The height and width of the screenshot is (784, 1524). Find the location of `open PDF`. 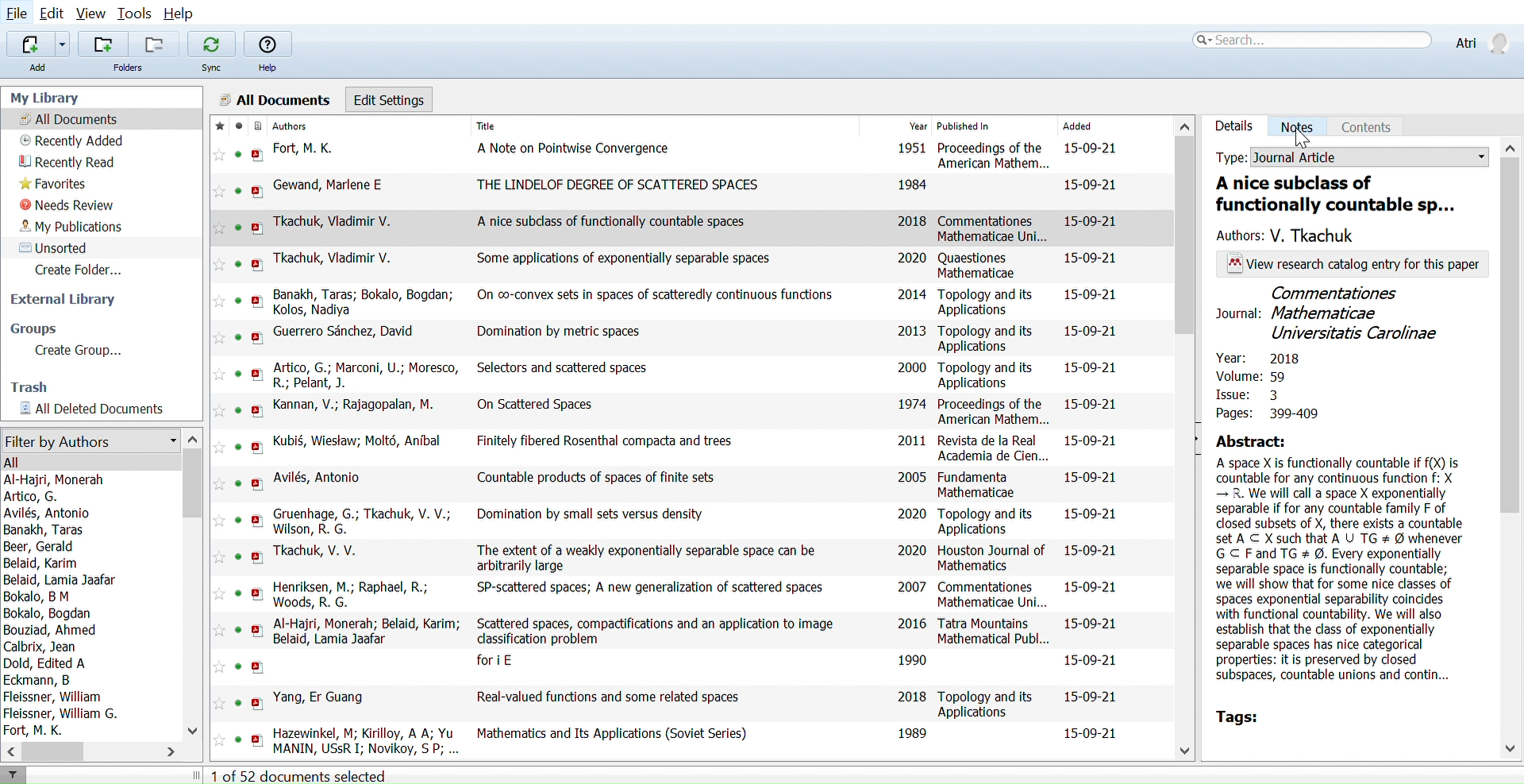

open PDF is located at coordinates (259, 447).